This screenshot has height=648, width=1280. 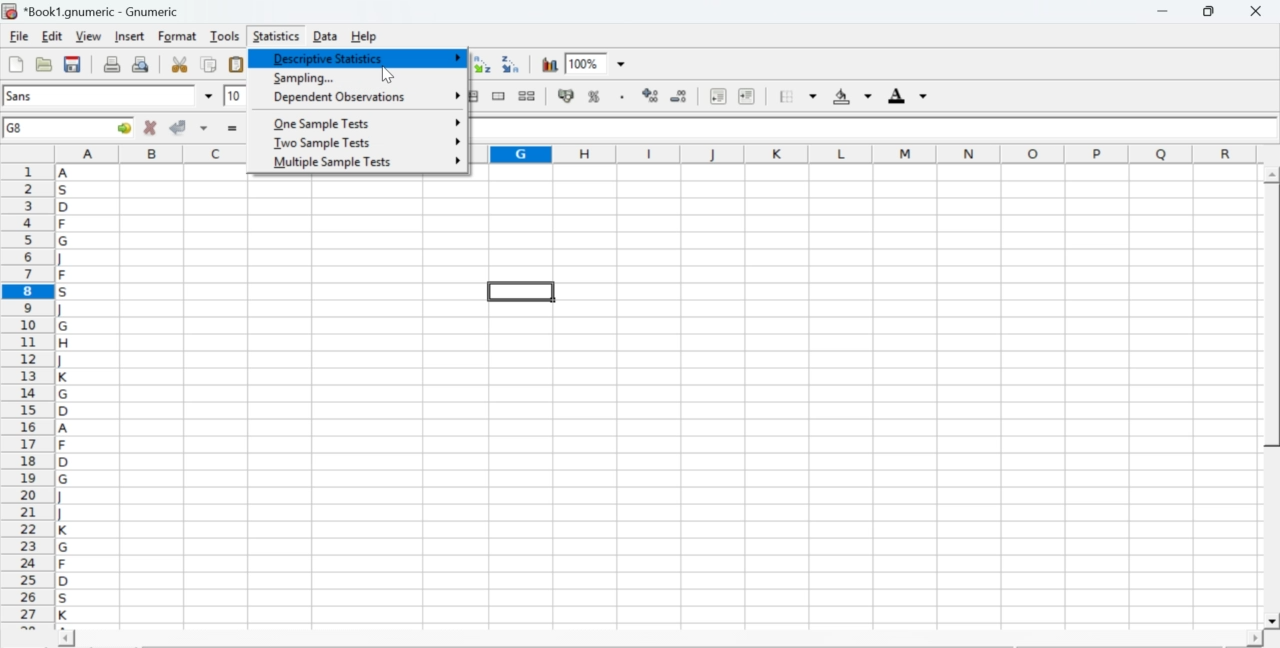 I want to click on borders, so click(x=799, y=96).